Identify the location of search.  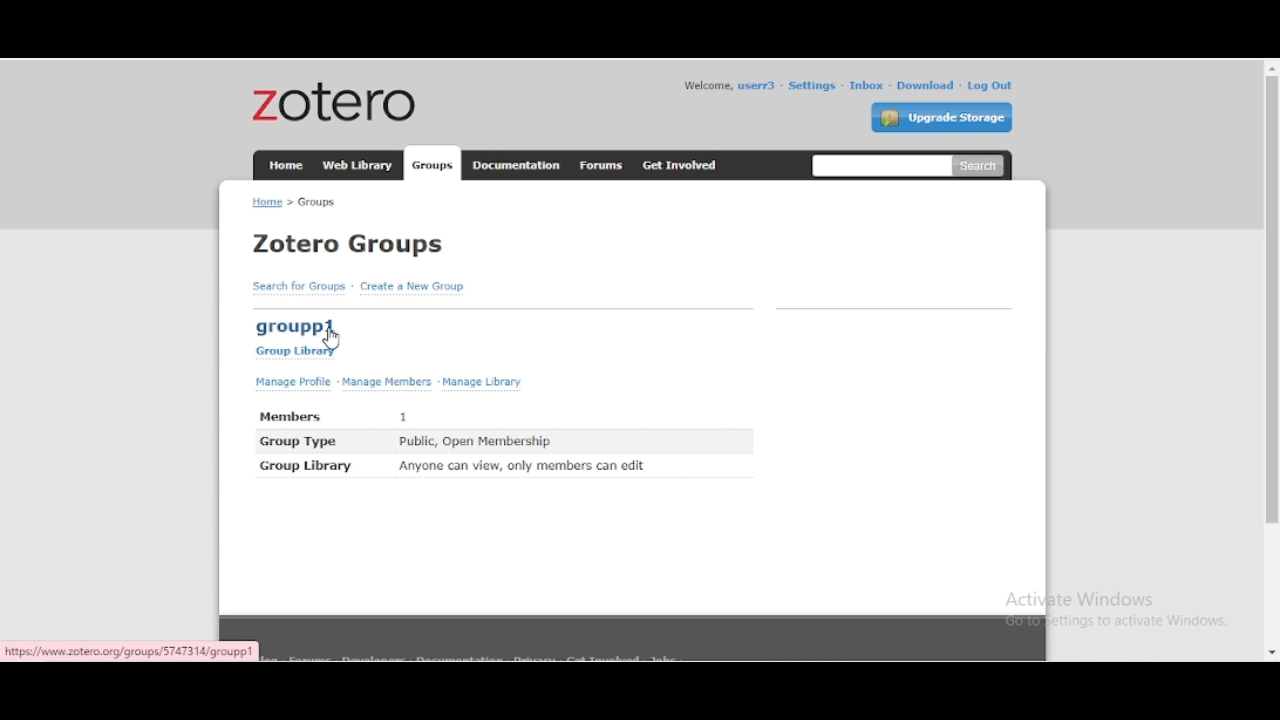
(910, 165).